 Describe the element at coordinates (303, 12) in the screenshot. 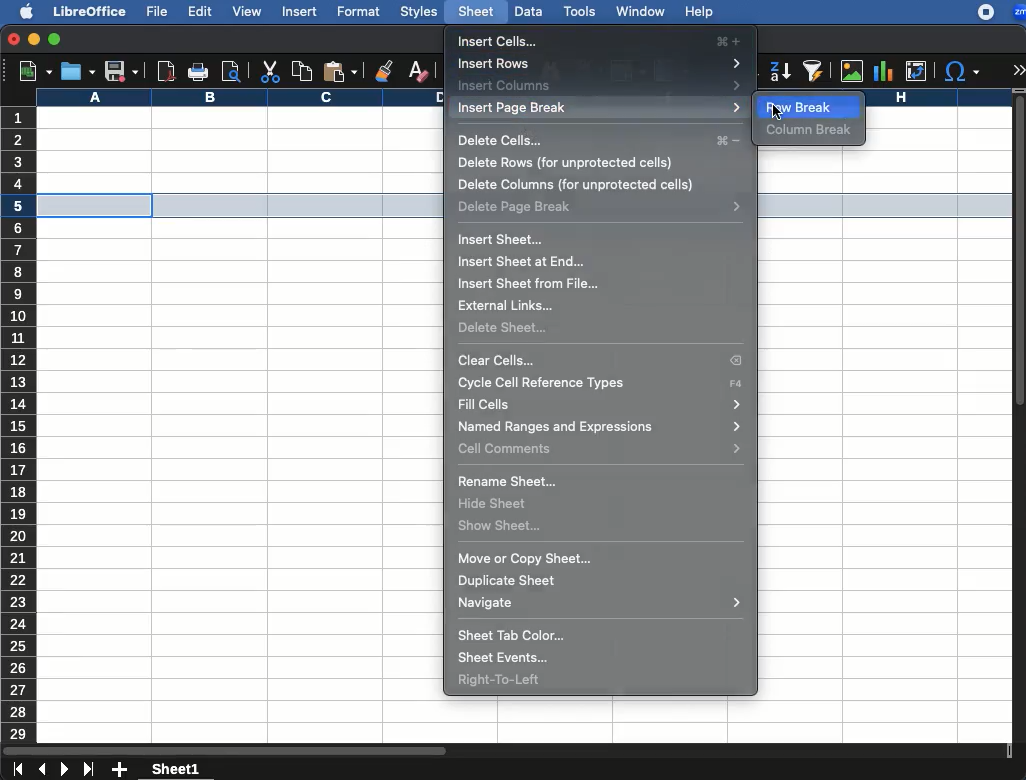

I see `insert` at that location.